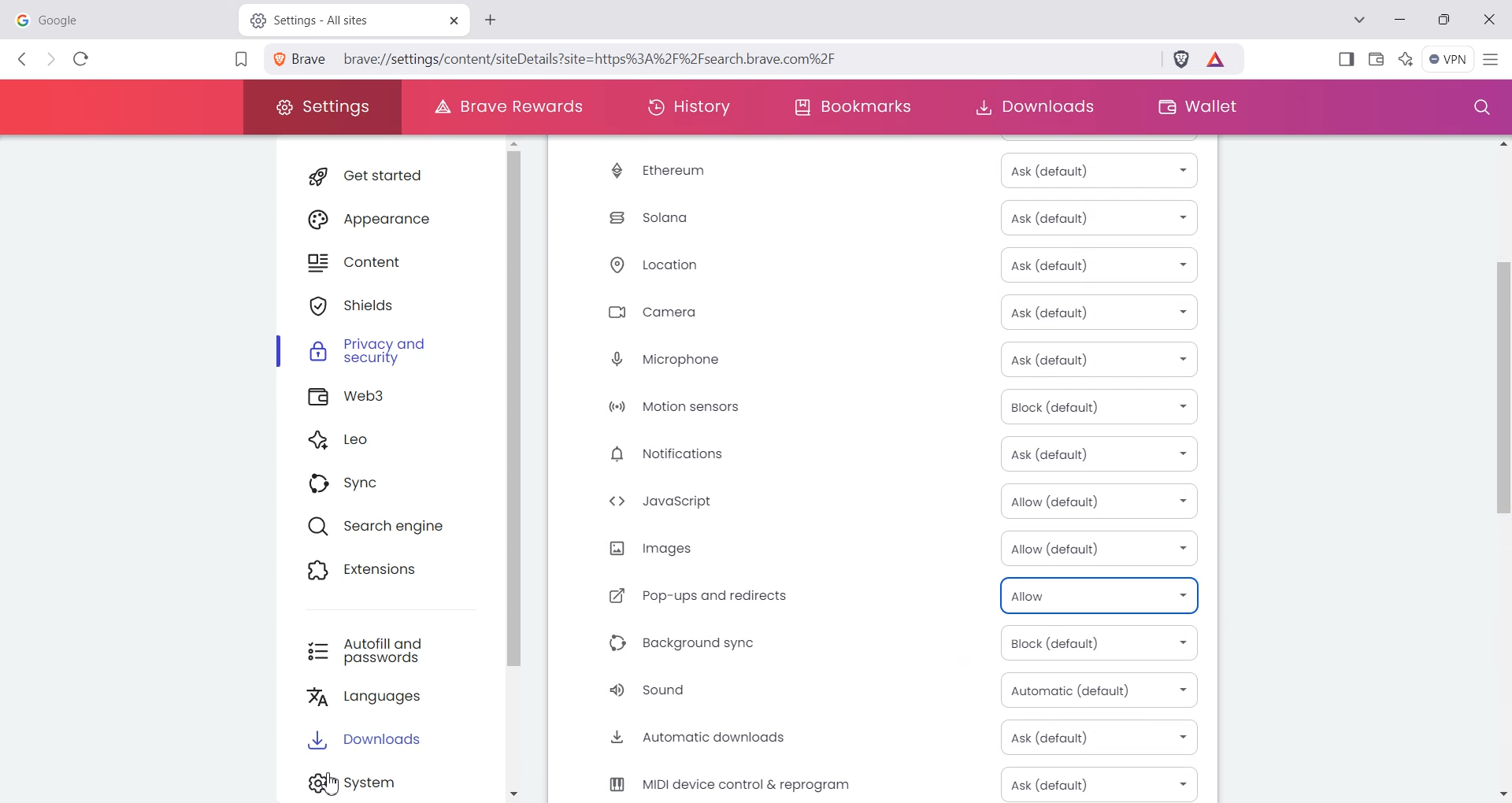 The height and width of the screenshot is (803, 1512). What do you see at coordinates (390, 354) in the screenshot?
I see `Privacy and security` at bounding box center [390, 354].